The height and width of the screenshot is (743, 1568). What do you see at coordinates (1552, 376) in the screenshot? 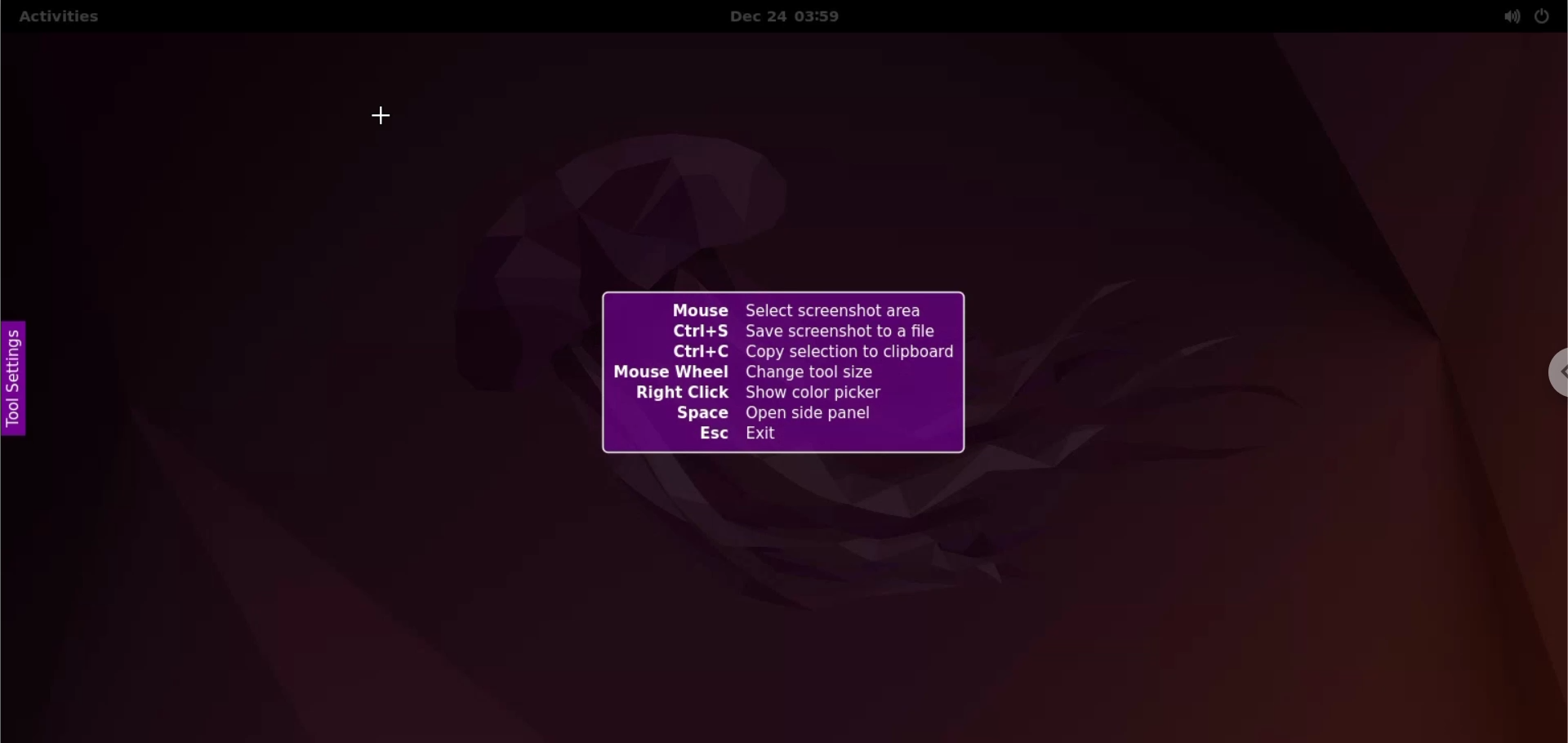
I see `chrome options ` at bounding box center [1552, 376].